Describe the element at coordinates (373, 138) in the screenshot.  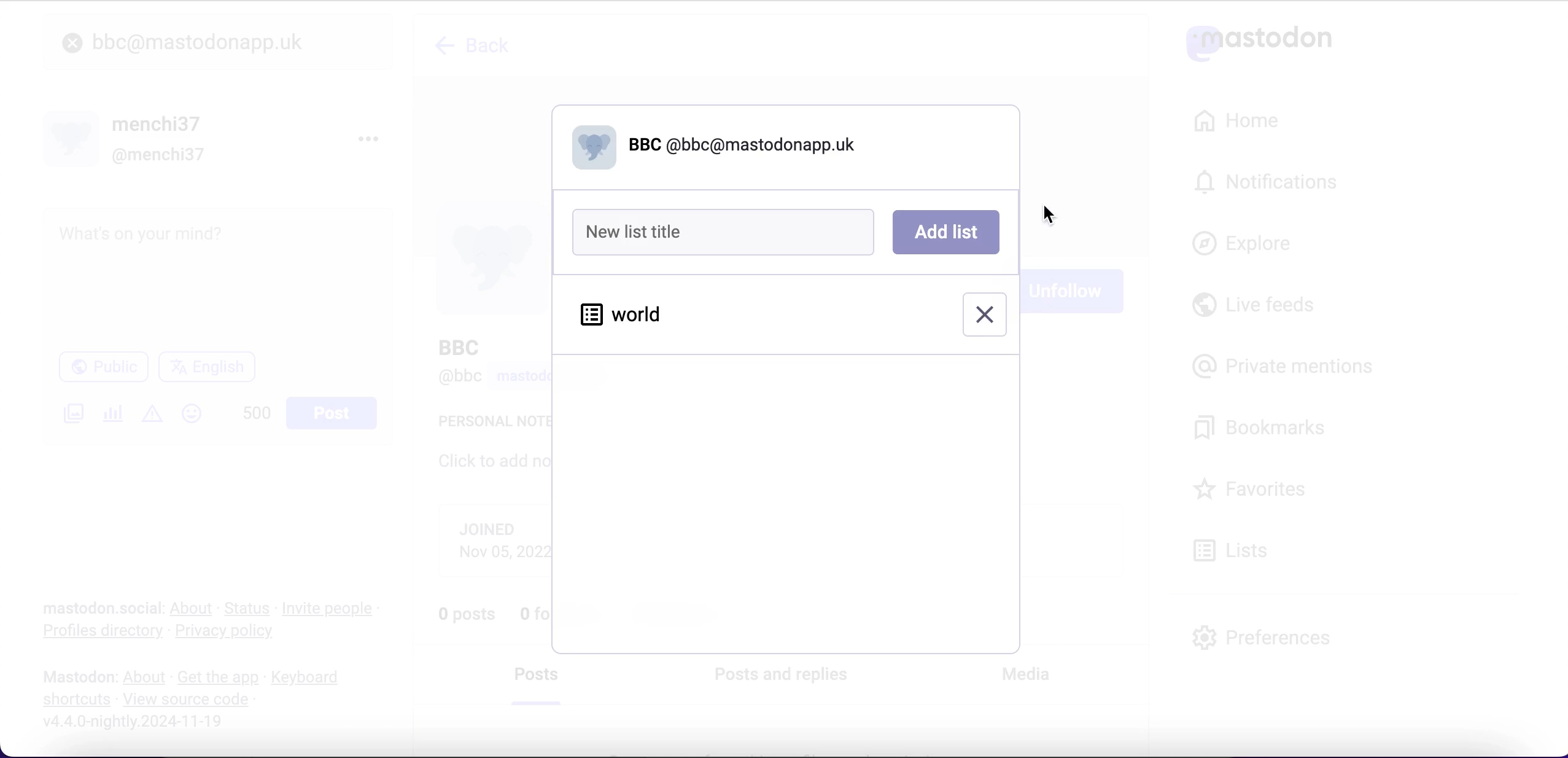
I see `menu options` at that location.